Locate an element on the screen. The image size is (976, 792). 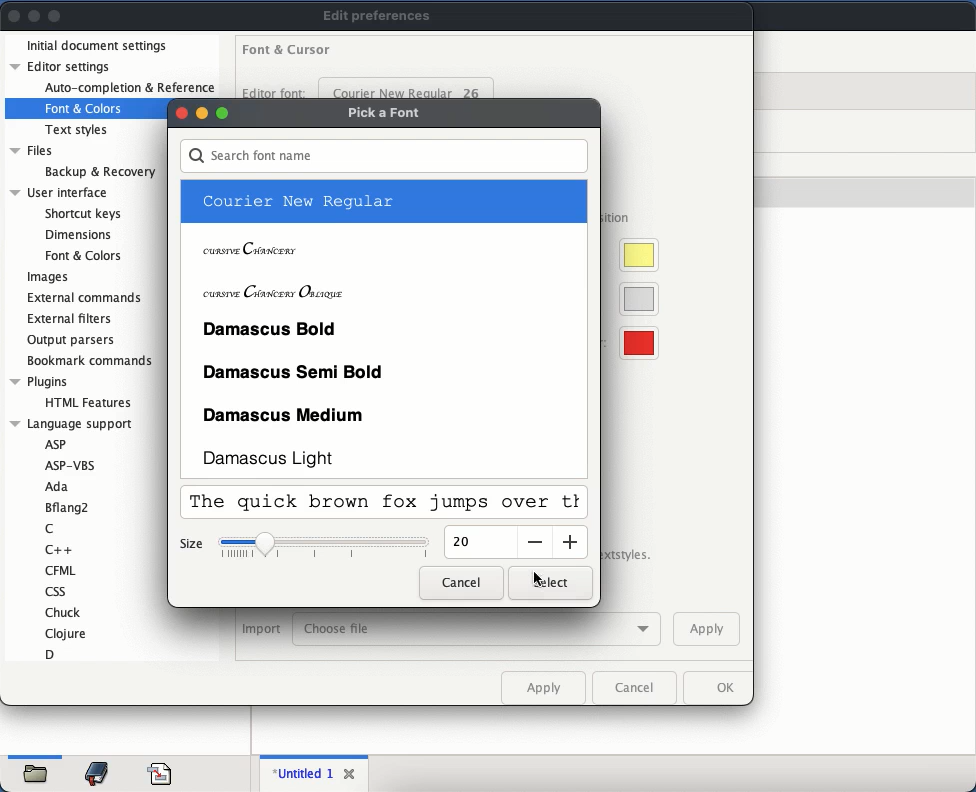
CFML is located at coordinates (60, 569).